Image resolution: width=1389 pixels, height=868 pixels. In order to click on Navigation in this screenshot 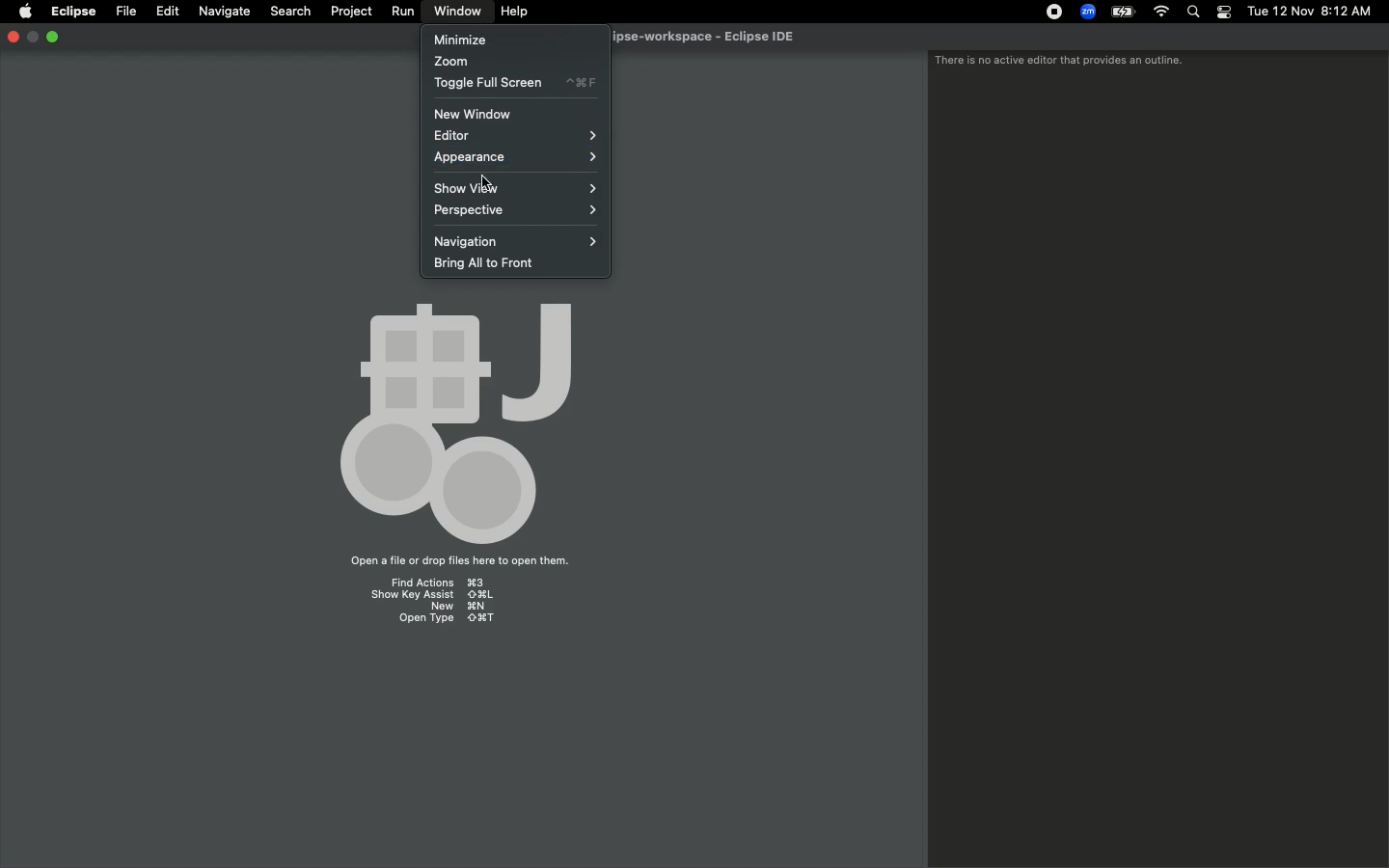, I will do `click(510, 242)`.